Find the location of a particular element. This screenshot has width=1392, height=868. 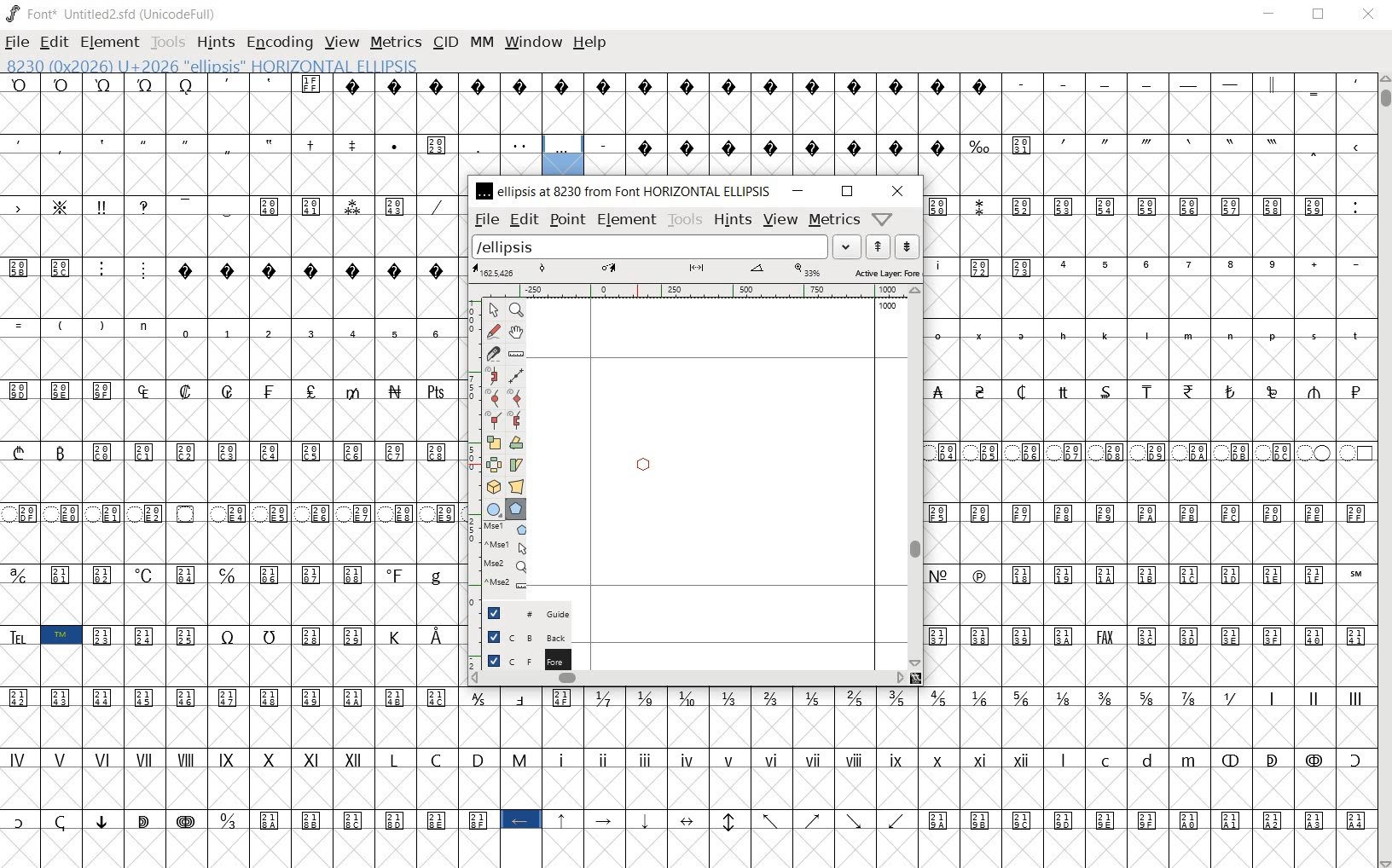

scrollbar is located at coordinates (687, 678).